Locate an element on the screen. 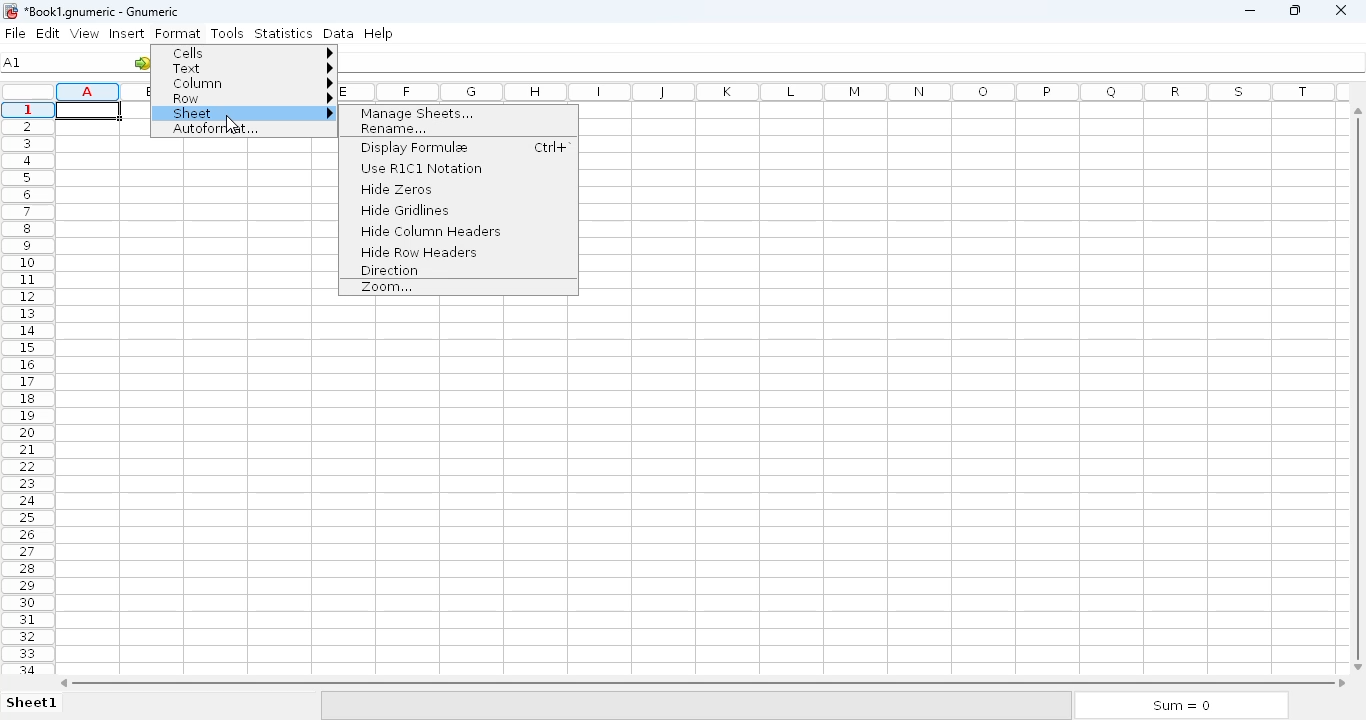 The height and width of the screenshot is (720, 1366). close is located at coordinates (1341, 10).